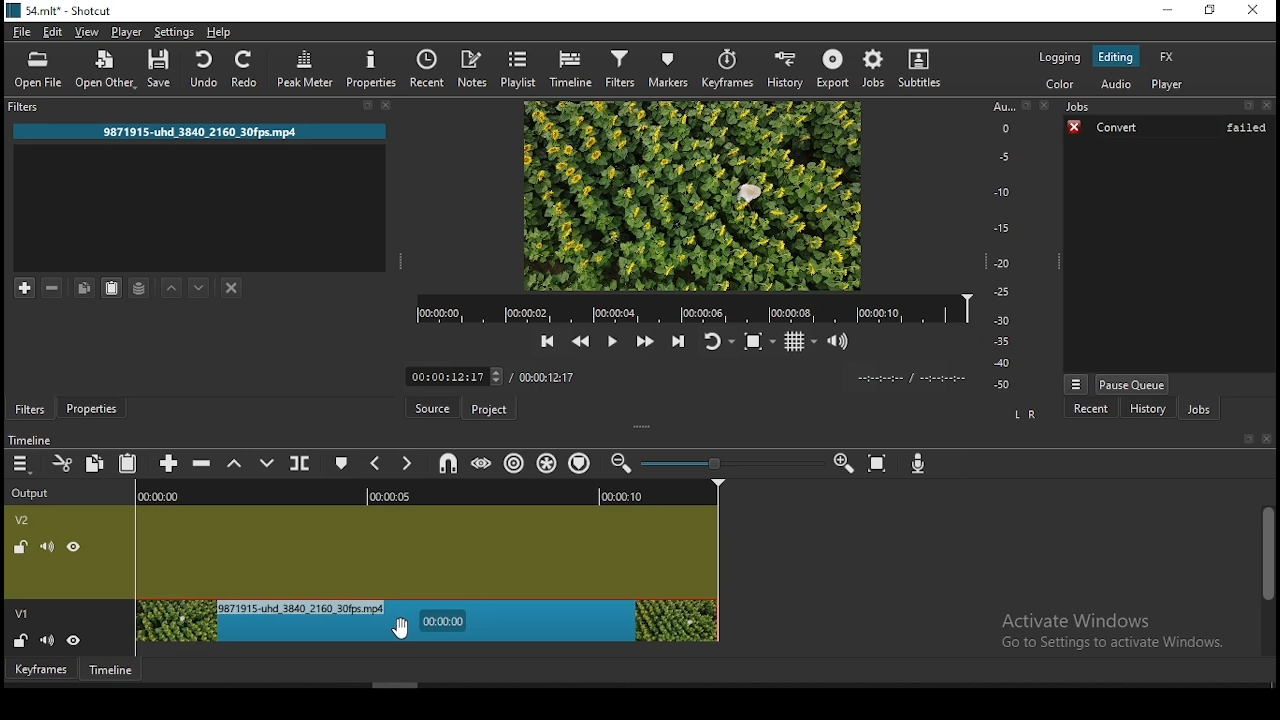  Describe the element at coordinates (169, 466) in the screenshot. I see `append` at that location.